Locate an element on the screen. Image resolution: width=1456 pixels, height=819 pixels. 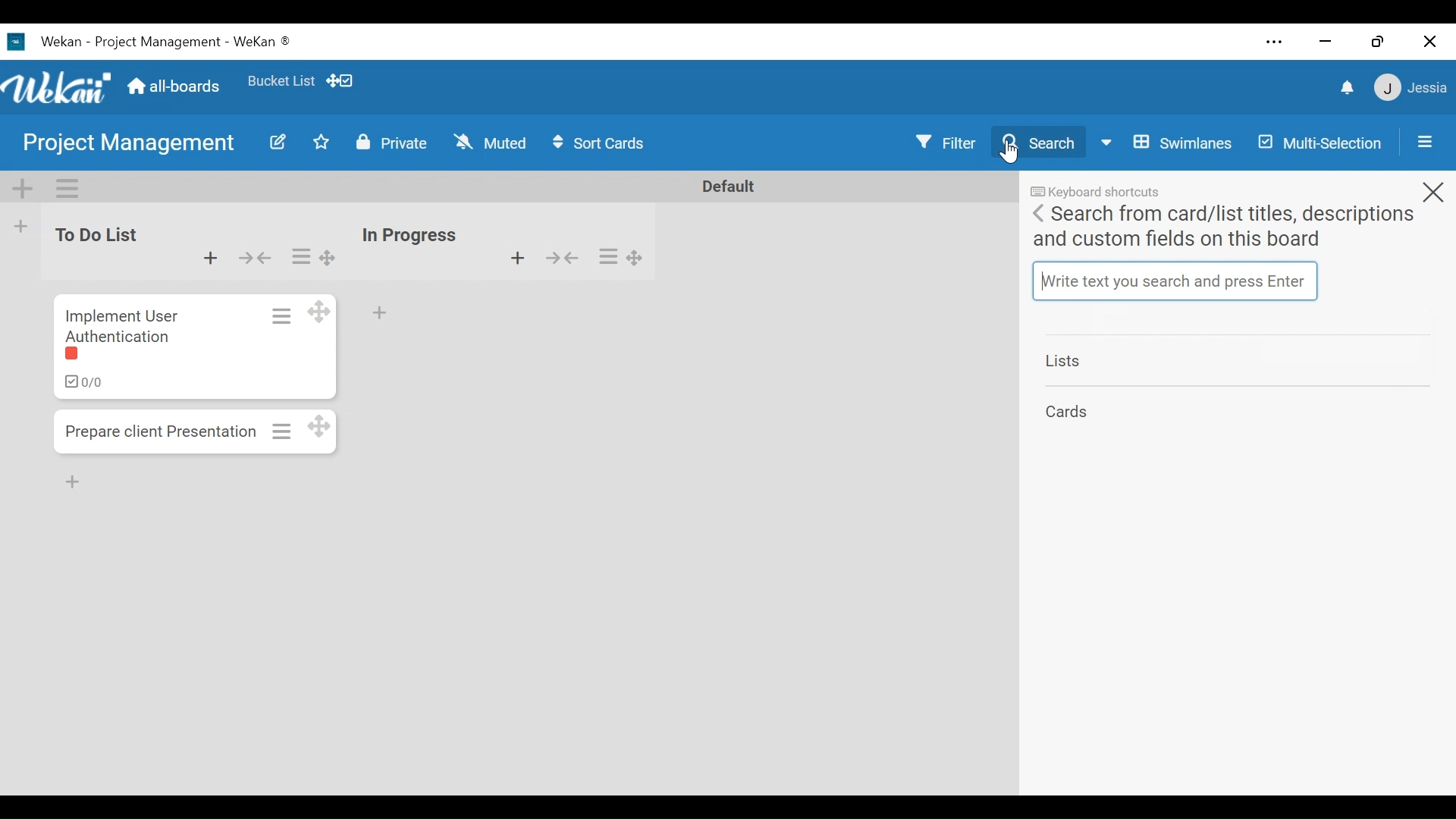
text cursor is located at coordinates (1038, 279).